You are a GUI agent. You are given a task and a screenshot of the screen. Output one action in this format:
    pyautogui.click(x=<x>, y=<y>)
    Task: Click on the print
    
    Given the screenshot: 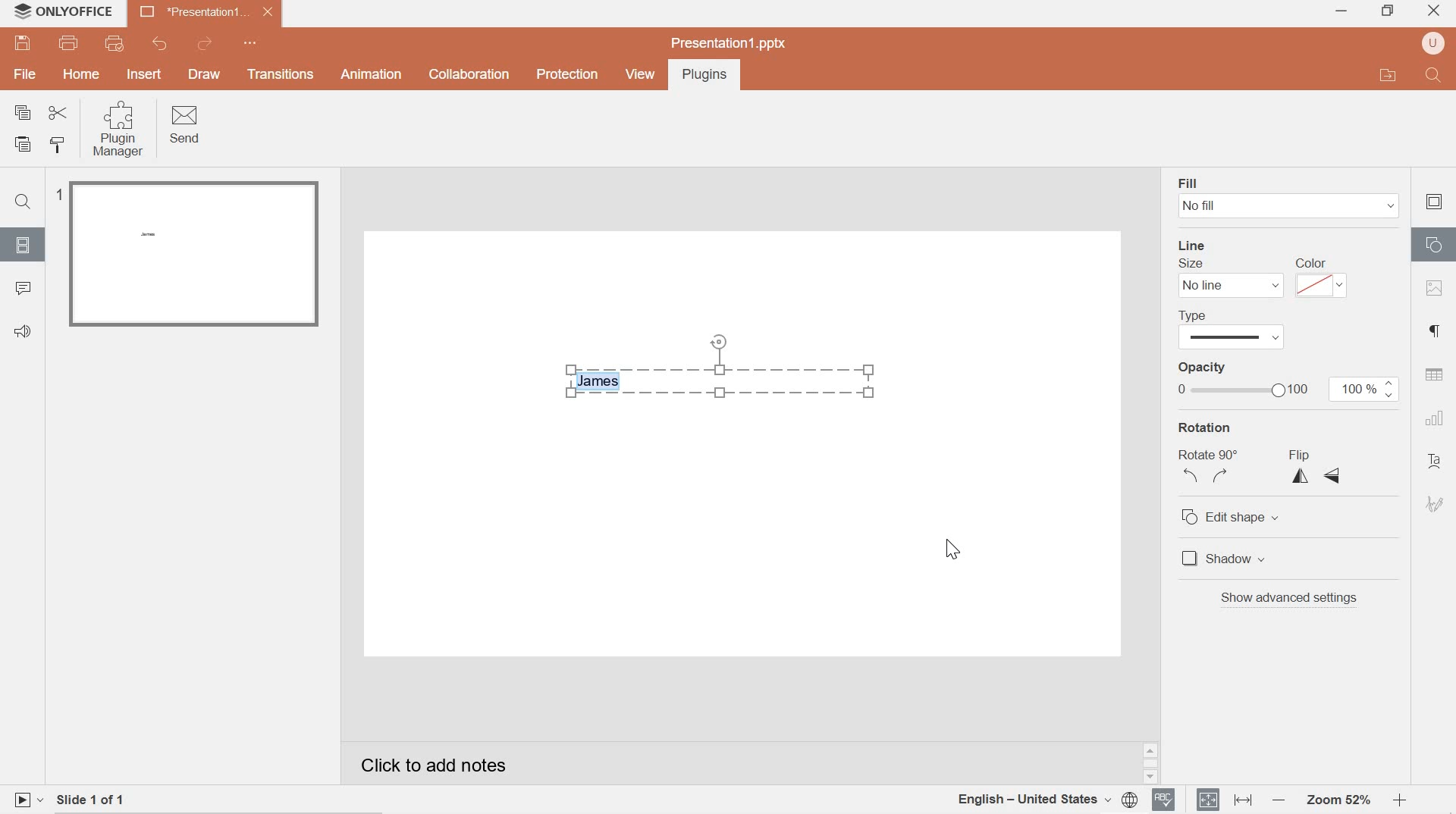 What is the action you would take?
    pyautogui.click(x=71, y=44)
    